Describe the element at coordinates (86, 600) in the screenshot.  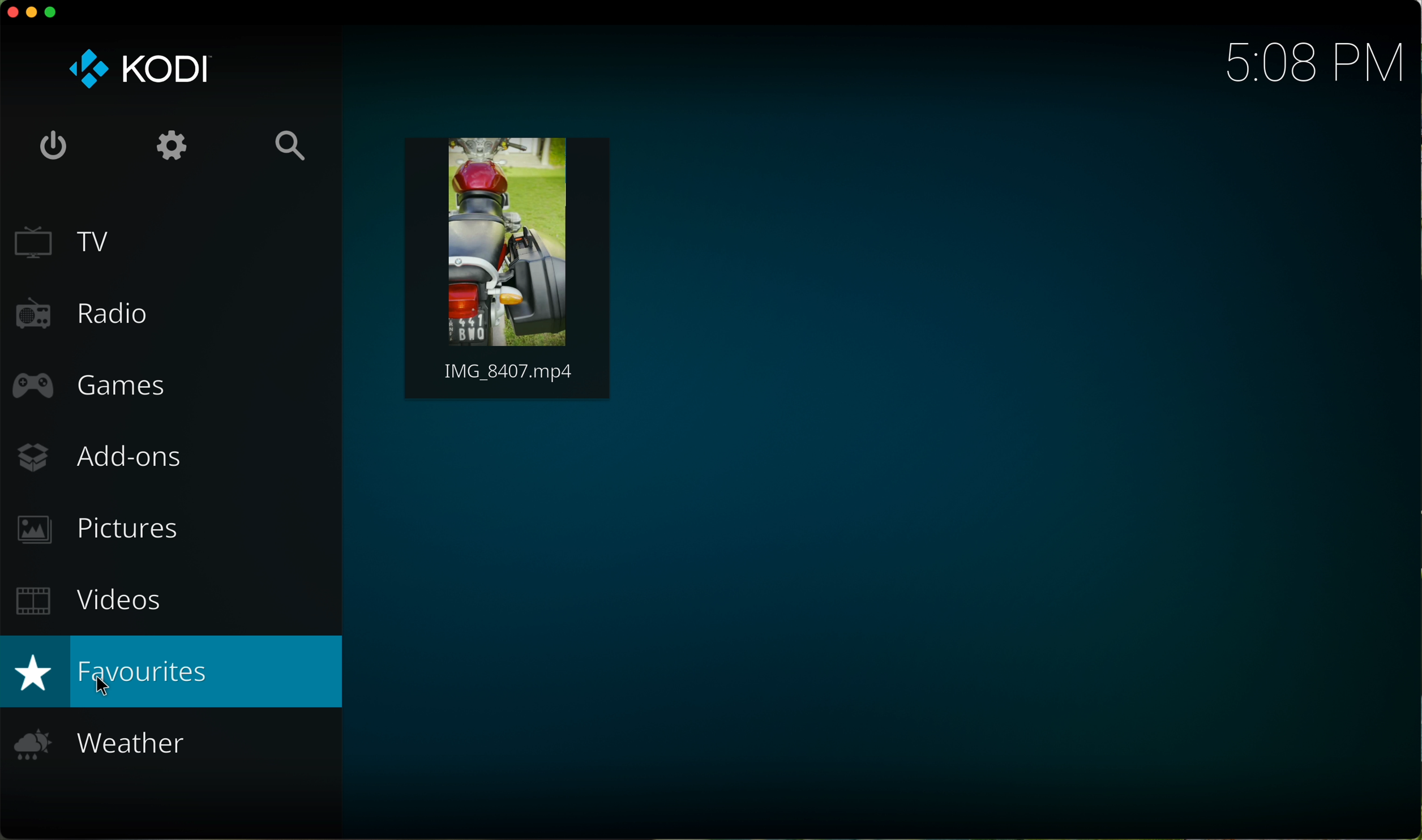
I see `videos` at that location.